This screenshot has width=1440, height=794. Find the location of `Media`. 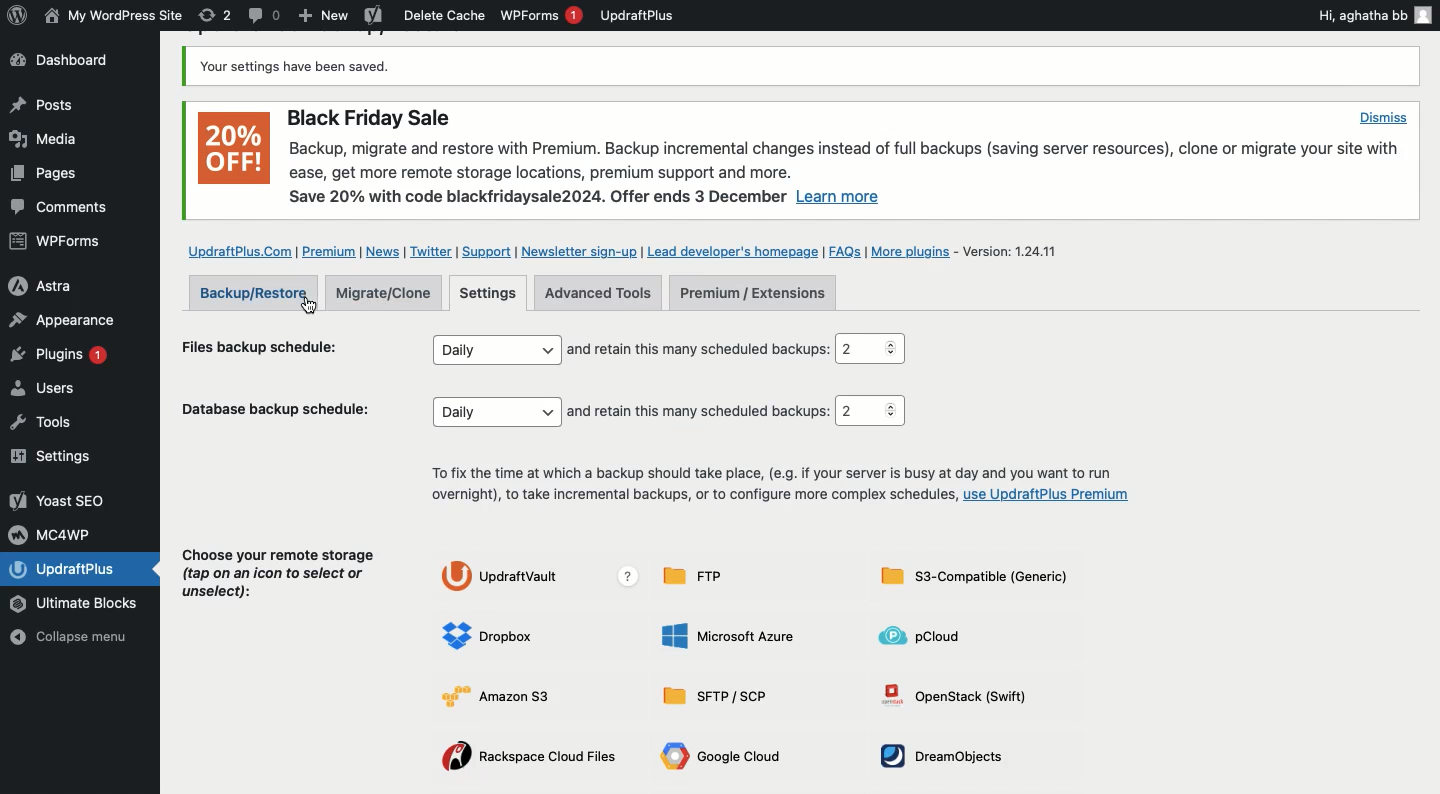

Media is located at coordinates (46, 138).